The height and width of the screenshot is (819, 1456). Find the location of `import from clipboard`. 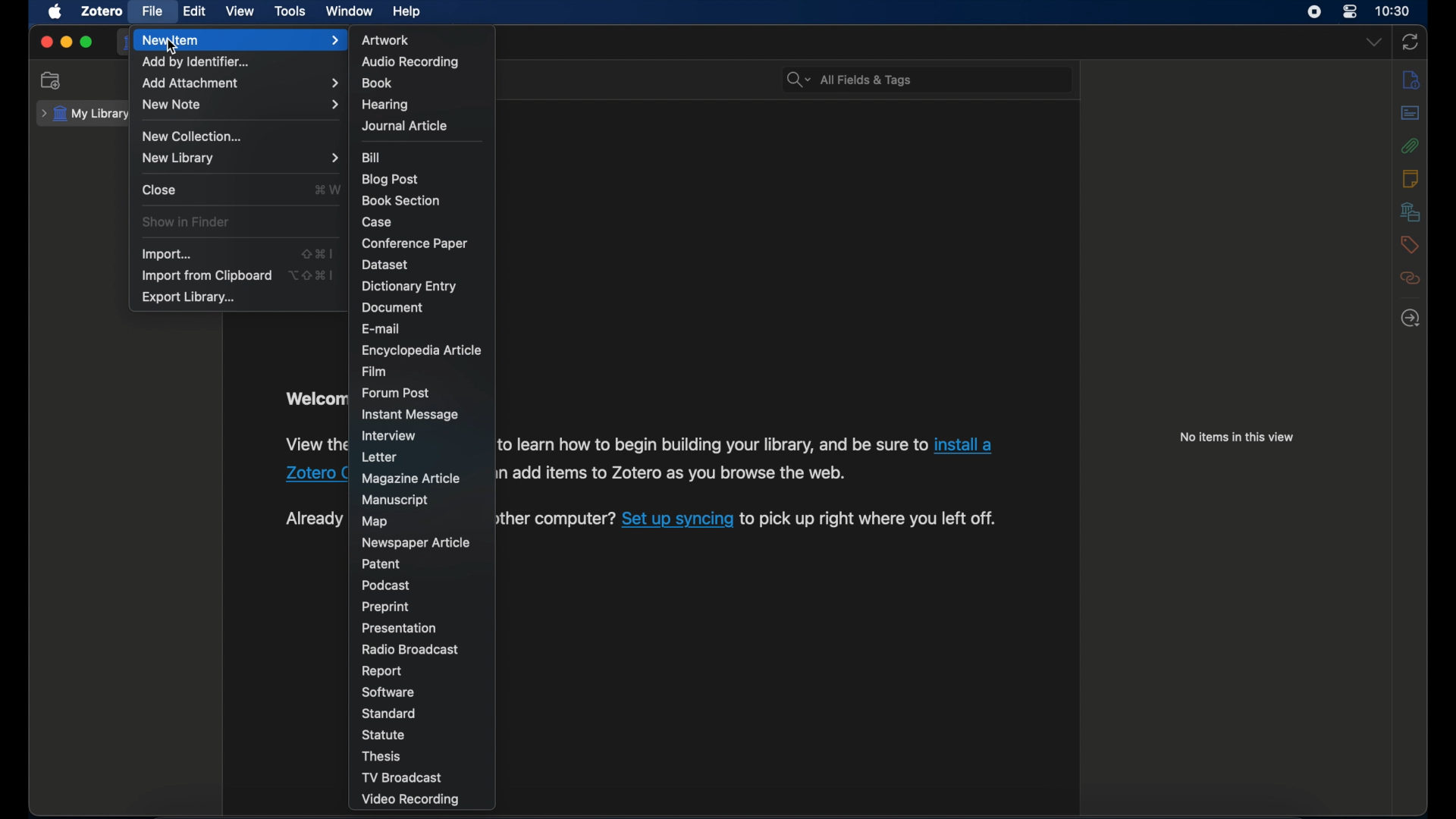

import from clipboard is located at coordinates (206, 275).